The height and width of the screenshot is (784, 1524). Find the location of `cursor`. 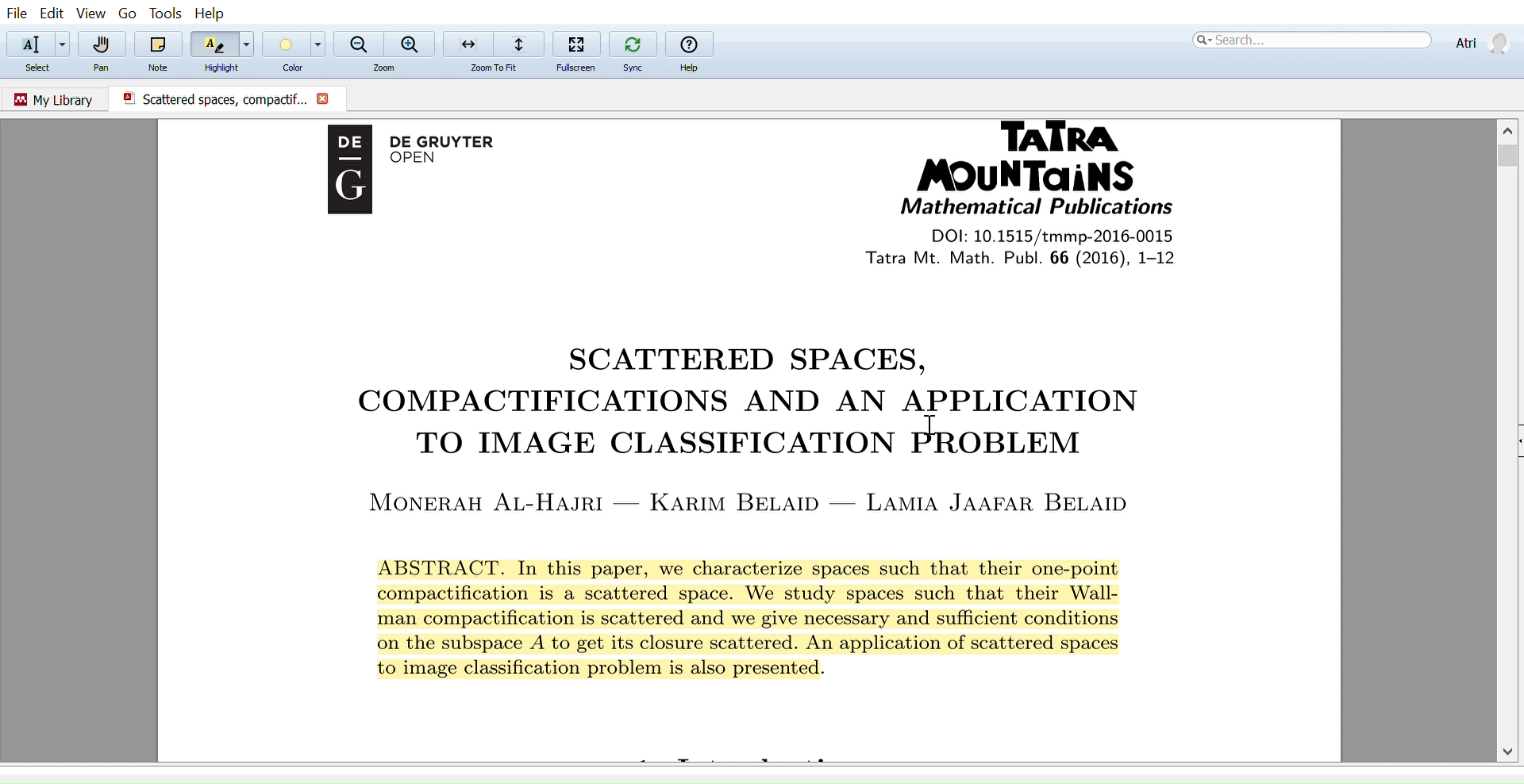

cursor is located at coordinates (928, 425).